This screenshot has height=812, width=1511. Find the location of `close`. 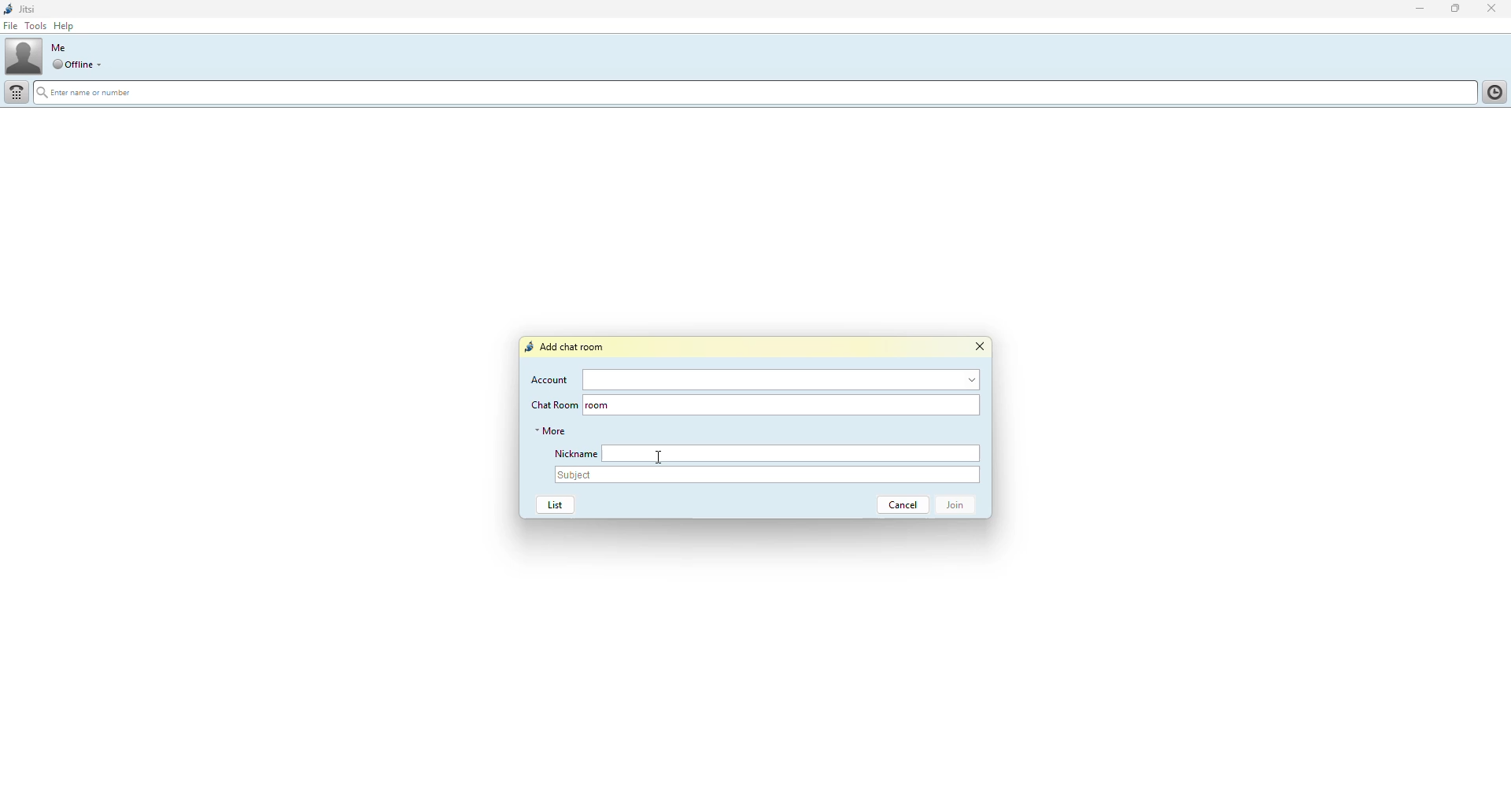

close is located at coordinates (980, 347).